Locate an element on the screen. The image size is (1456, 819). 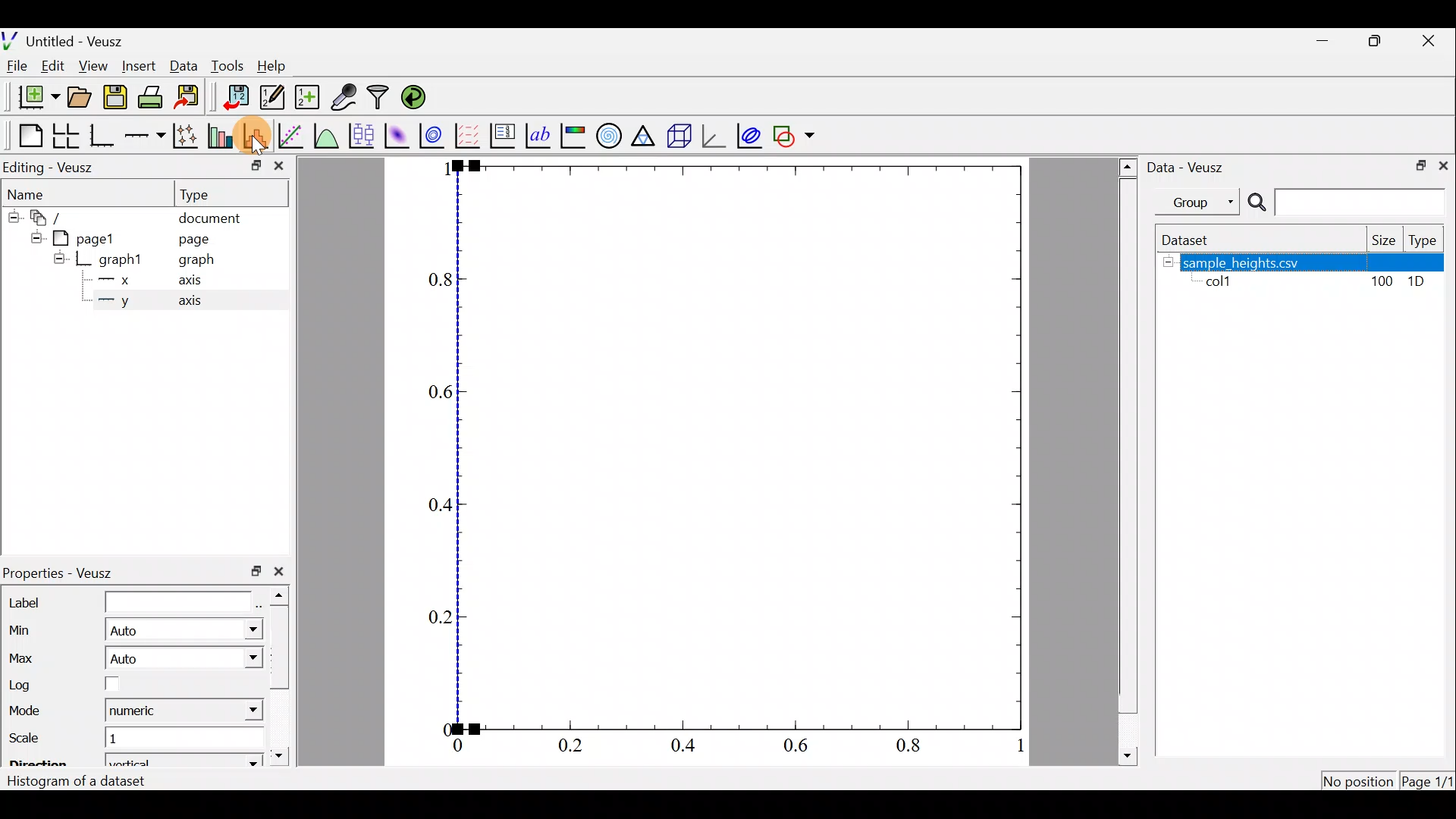
Name is located at coordinates (33, 193).